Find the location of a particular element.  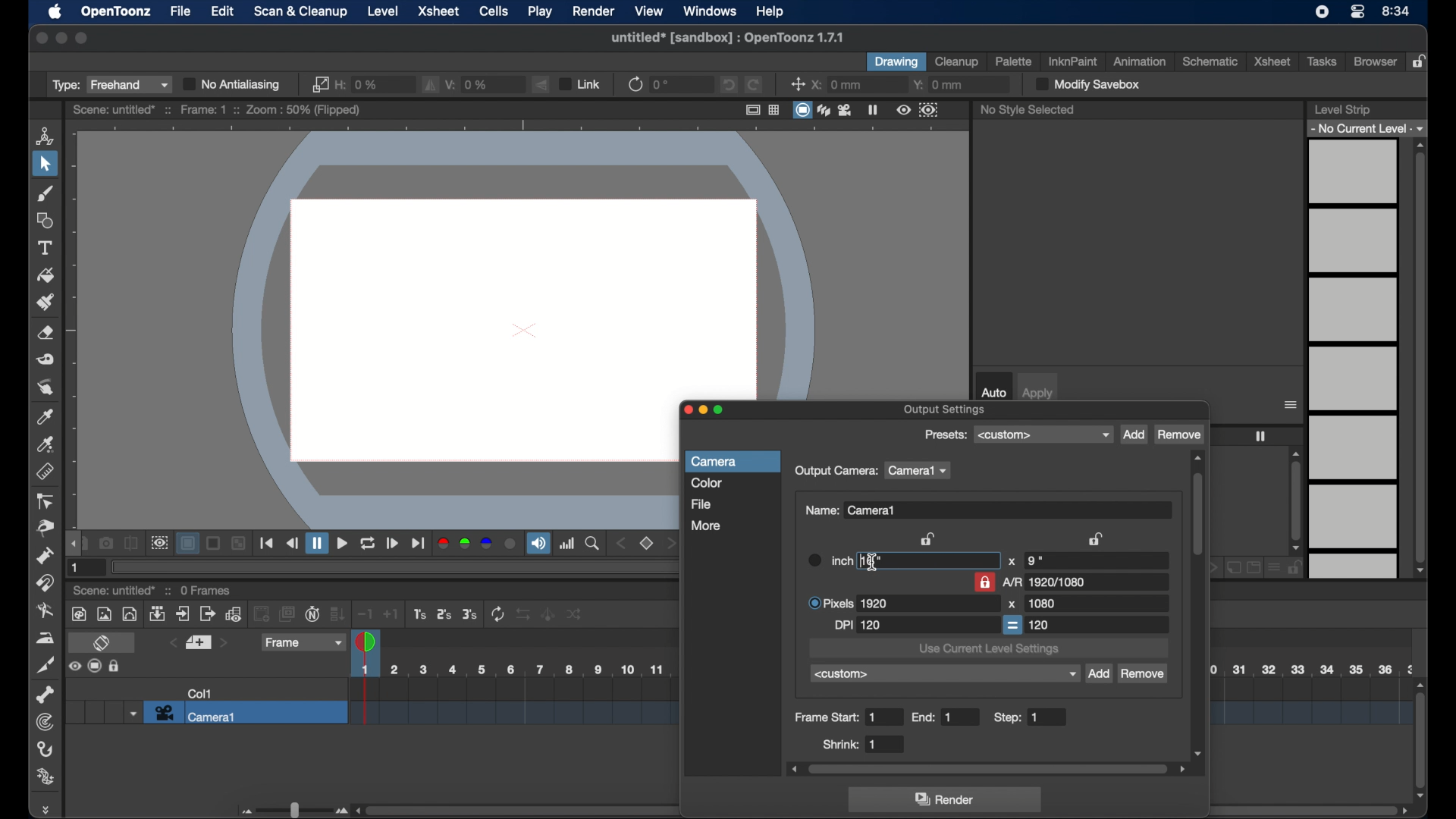

no antialiasing is located at coordinates (233, 84).